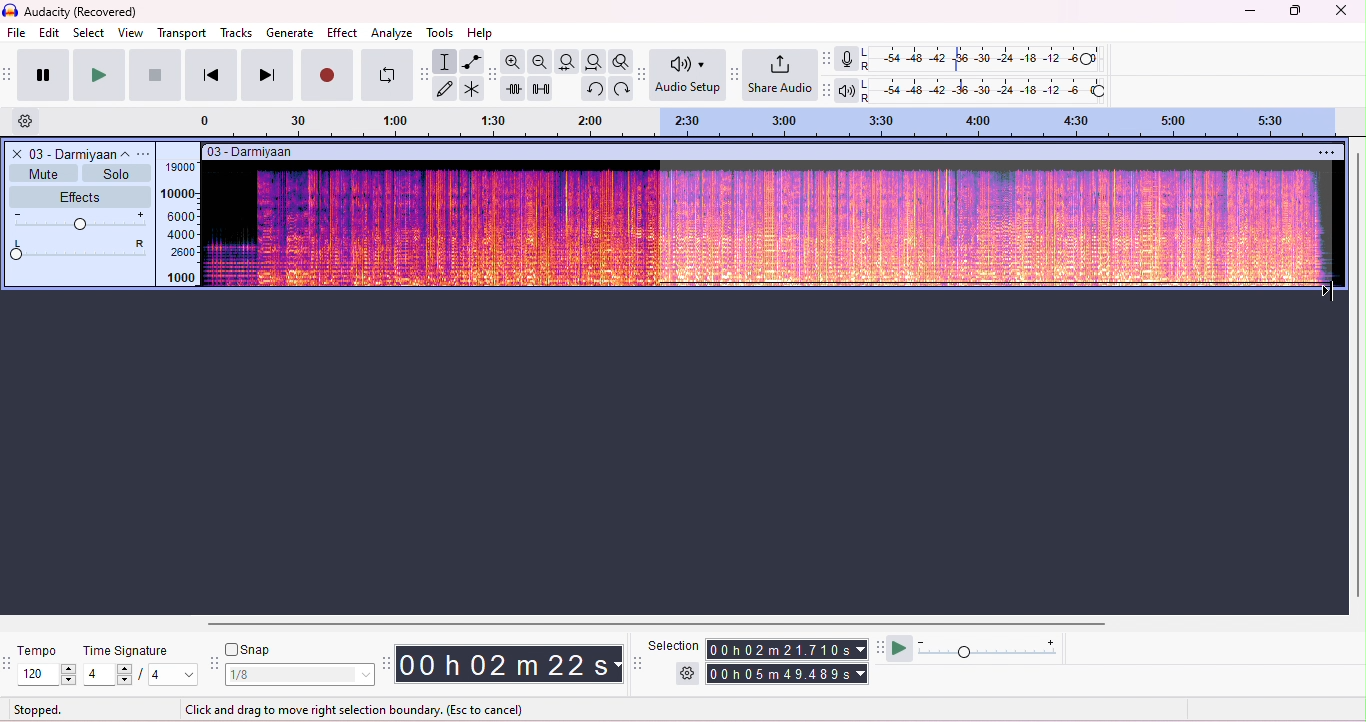  I want to click on horizontal scroll bar, so click(648, 623).